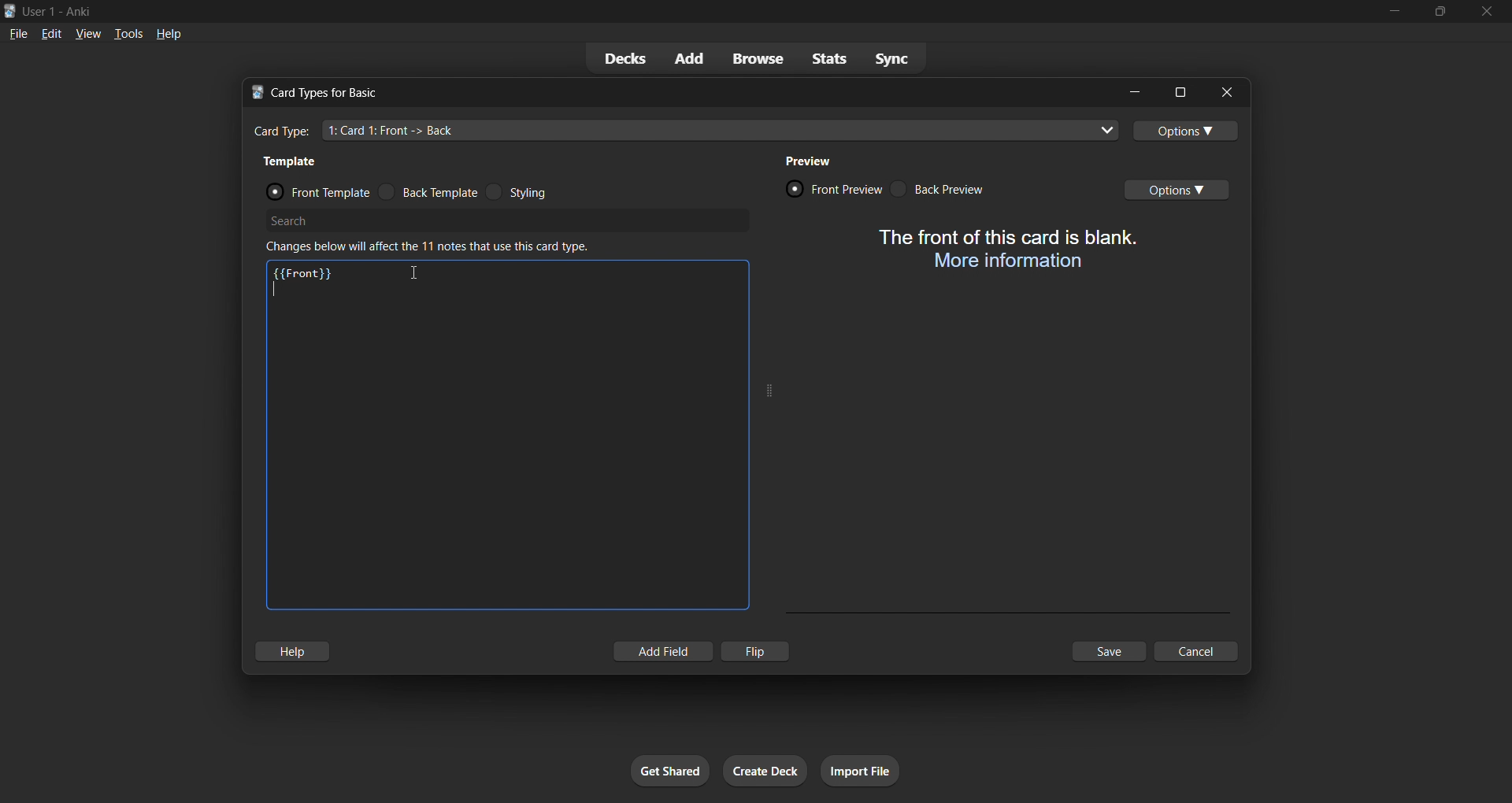  Describe the element at coordinates (1184, 189) in the screenshot. I see `options toggle` at that location.